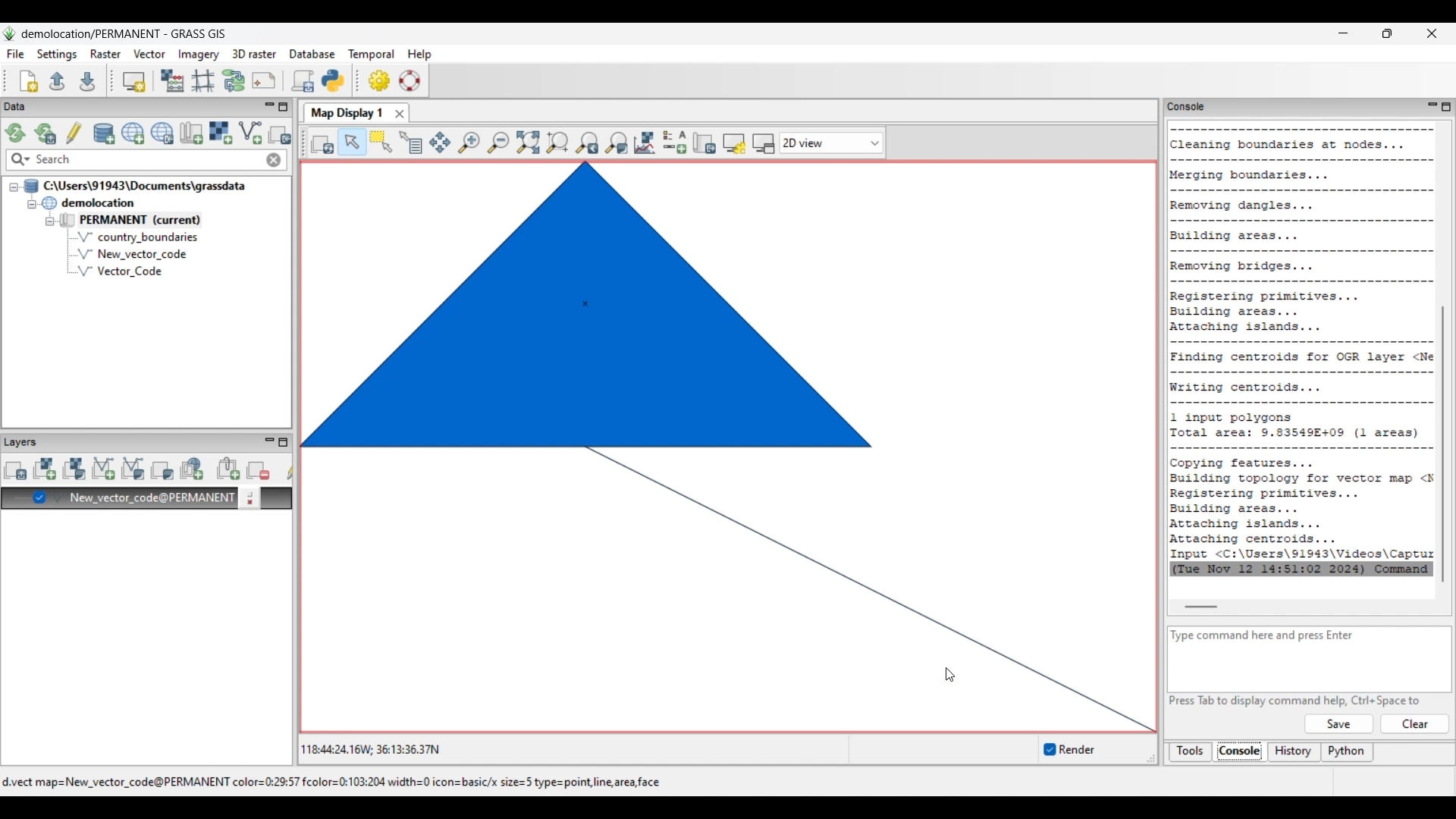 This screenshot has height=819, width=1456. Describe the element at coordinates (105, 134) in the screenshot. I see `Add existing or create new database` at that location.